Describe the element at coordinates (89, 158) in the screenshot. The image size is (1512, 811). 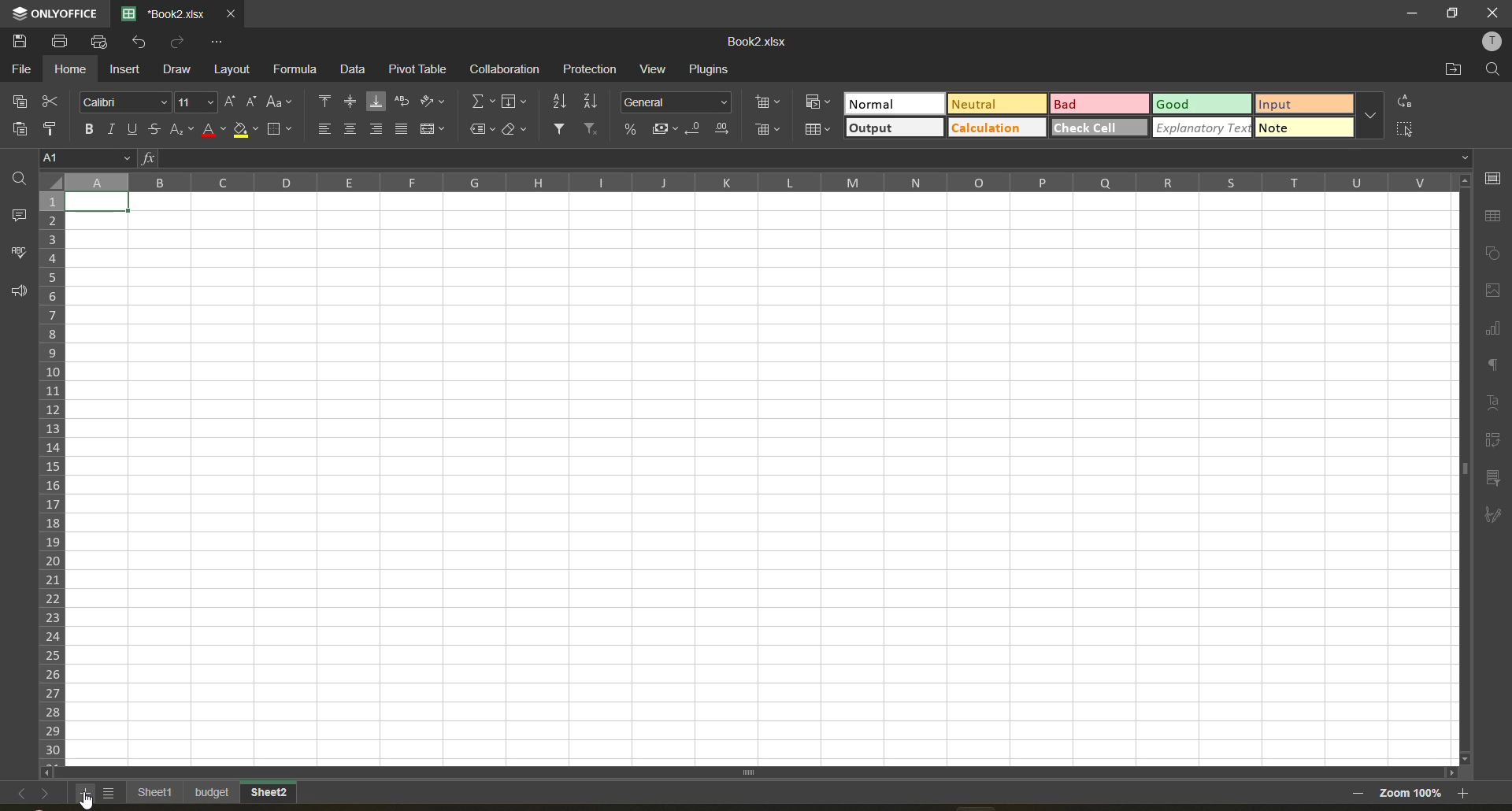
I see `cell address` at that location.